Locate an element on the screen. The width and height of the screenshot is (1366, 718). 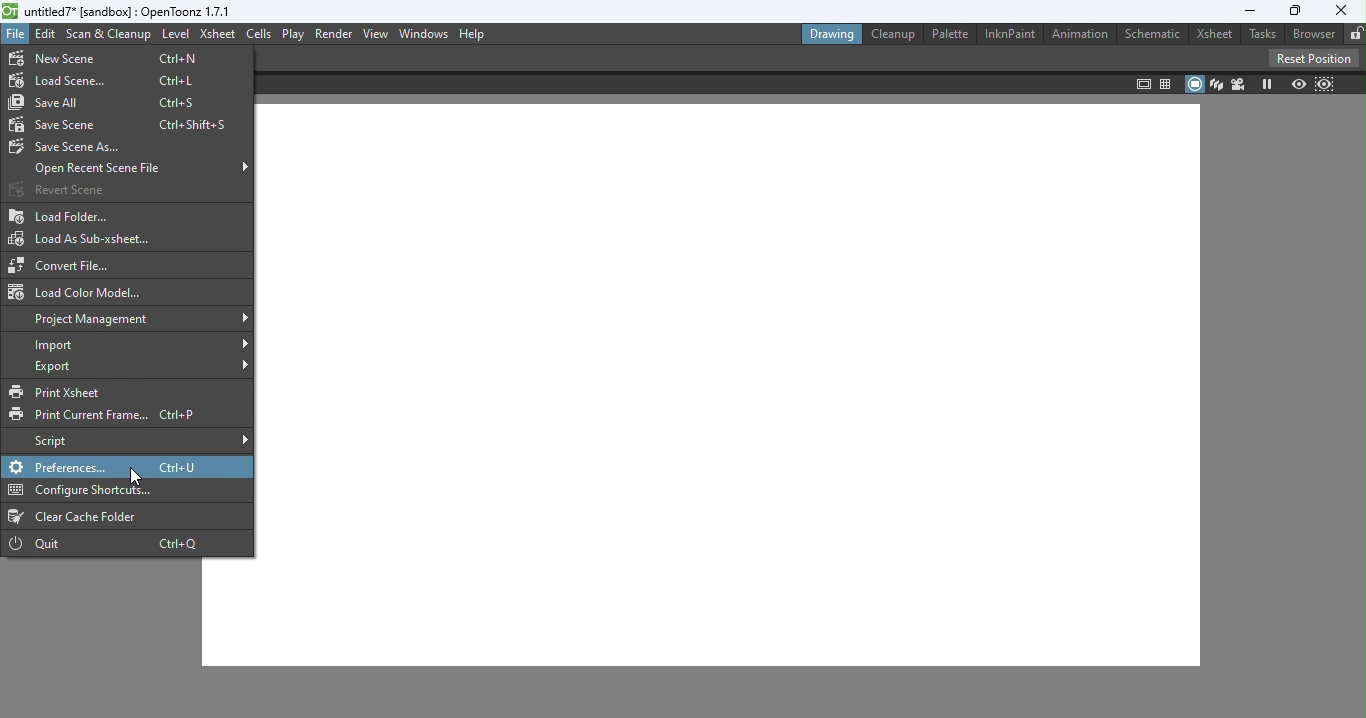
Export is located at coordinates (142, 366).